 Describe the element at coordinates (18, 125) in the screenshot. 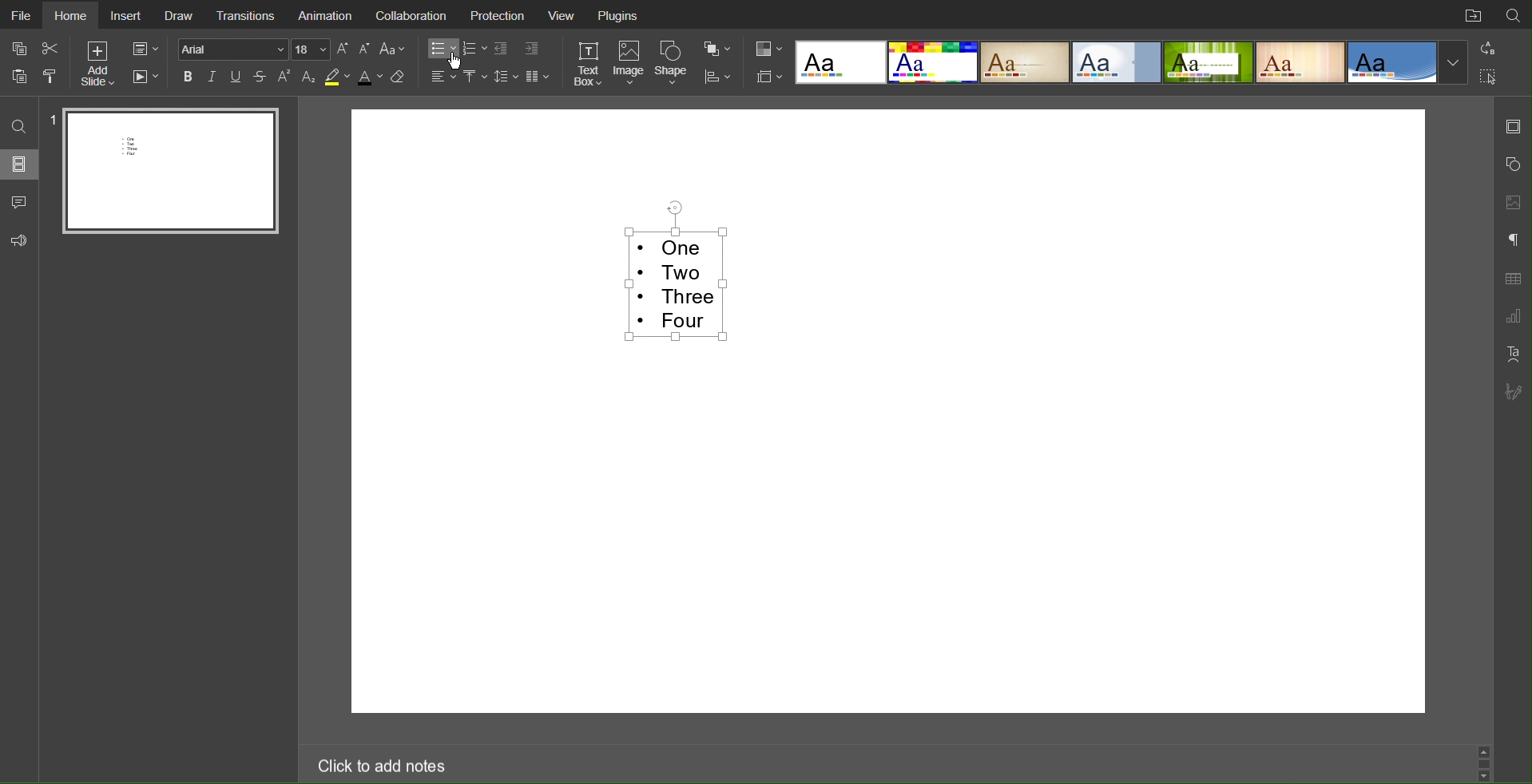

I see `Search` at that location.